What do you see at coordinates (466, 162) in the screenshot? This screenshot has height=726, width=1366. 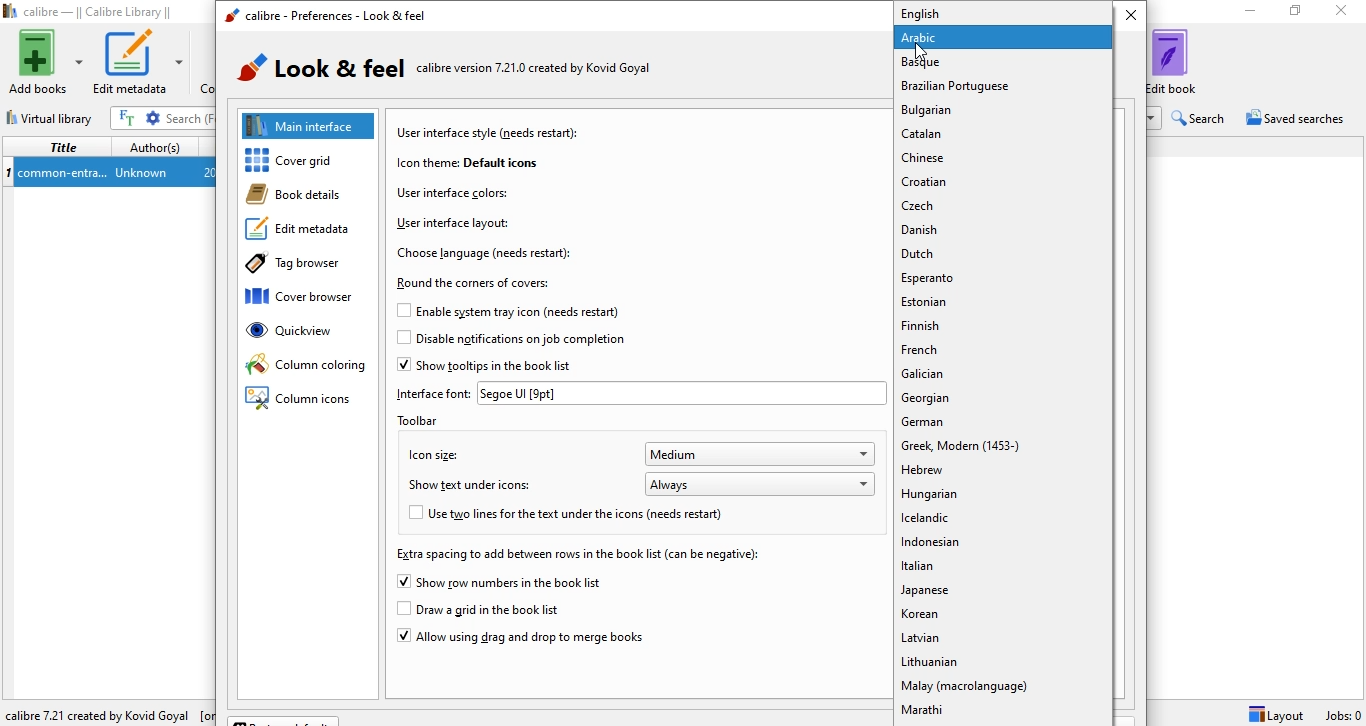 I see `icon theme: default icons` at bounding box center [466, 162].